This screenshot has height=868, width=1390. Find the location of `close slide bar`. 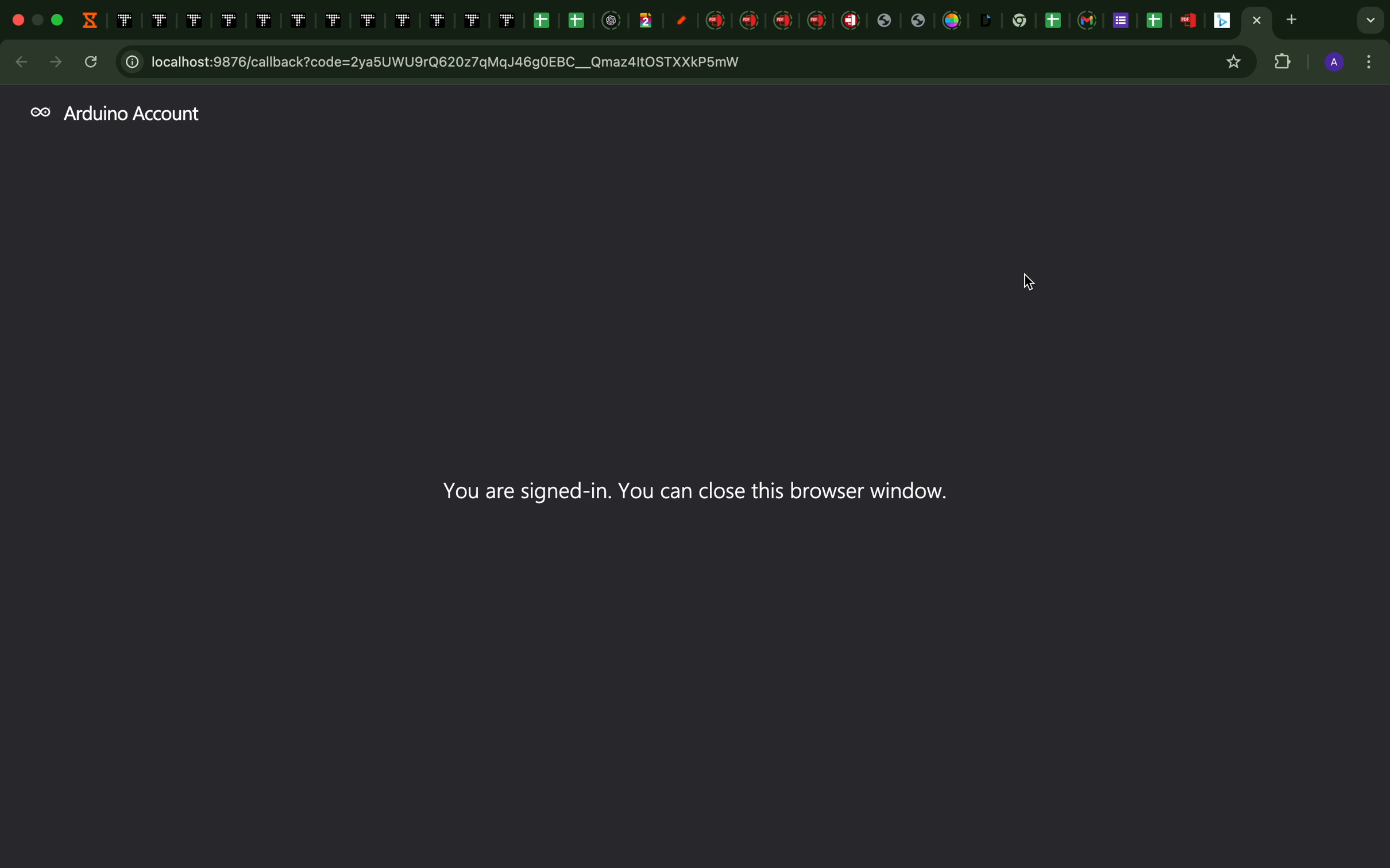

close slide bar is located at coordinates (1369, 857).